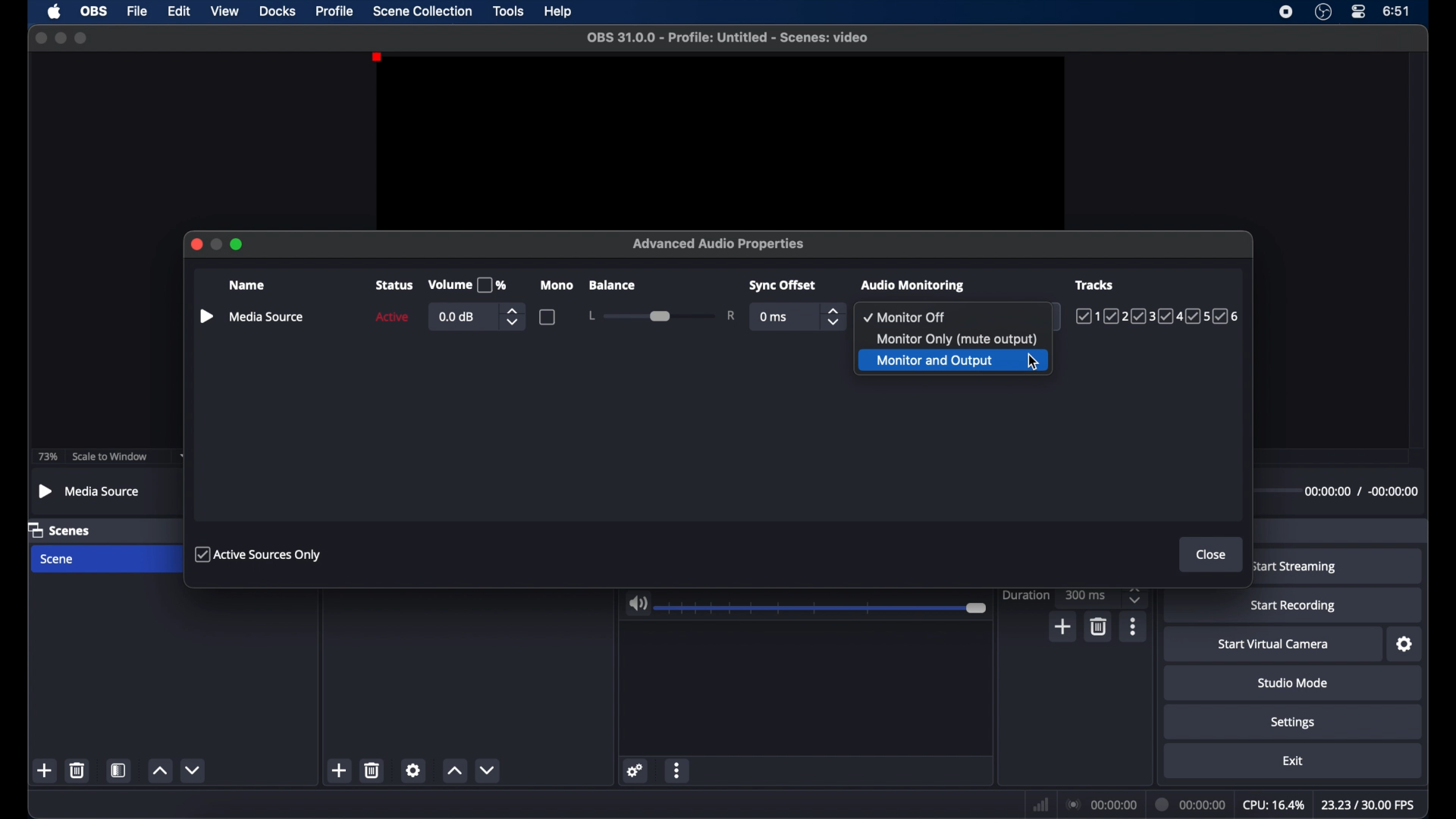 This screenshot has width=1456, height=819. What do you see at coordinates (637, 604) in the screenshot?
I see `volume` at bounding box center [637, 604].